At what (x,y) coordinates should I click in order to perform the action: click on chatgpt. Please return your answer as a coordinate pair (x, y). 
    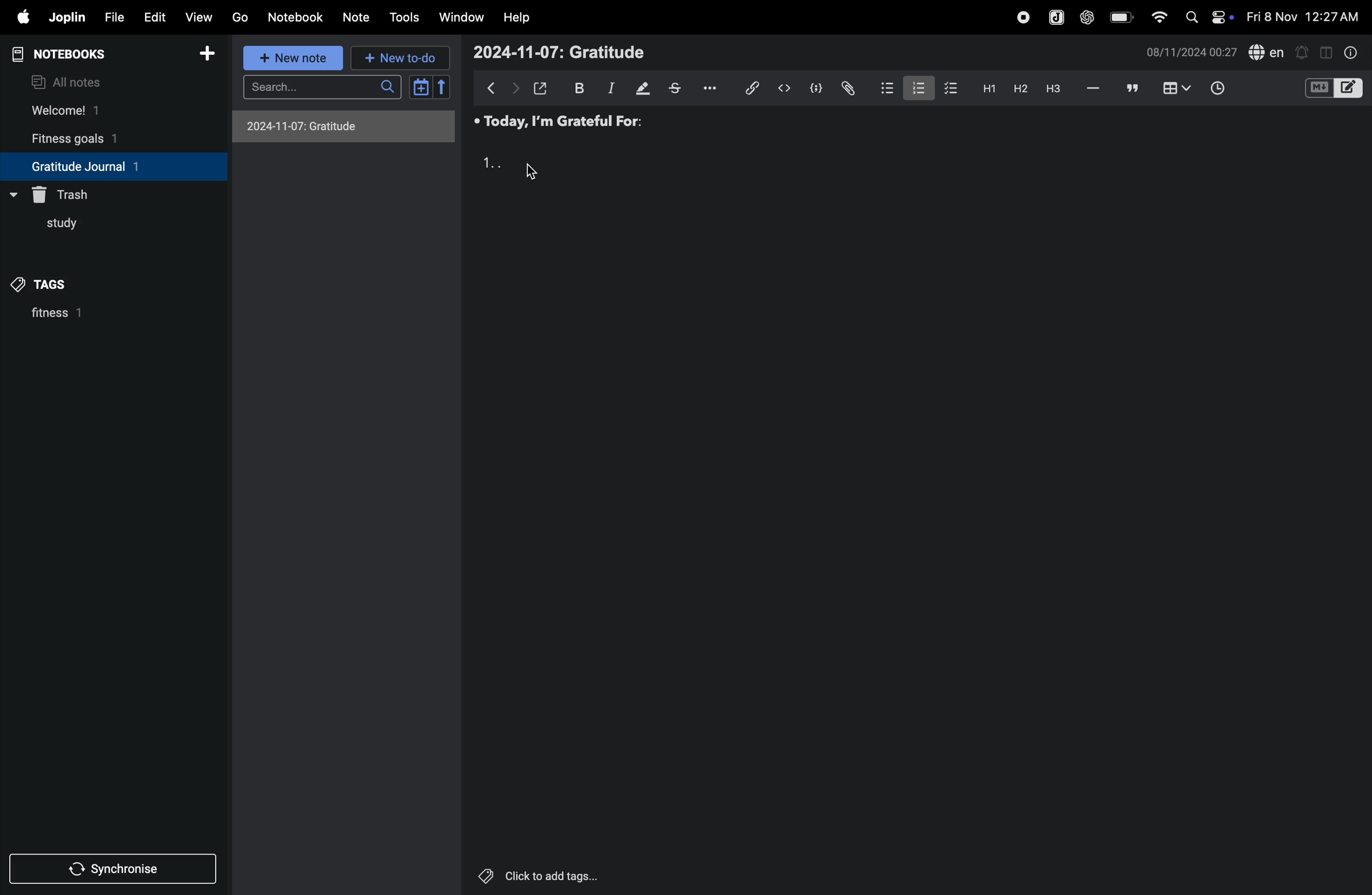
    Looking at the image, I should click on (1086, 18).